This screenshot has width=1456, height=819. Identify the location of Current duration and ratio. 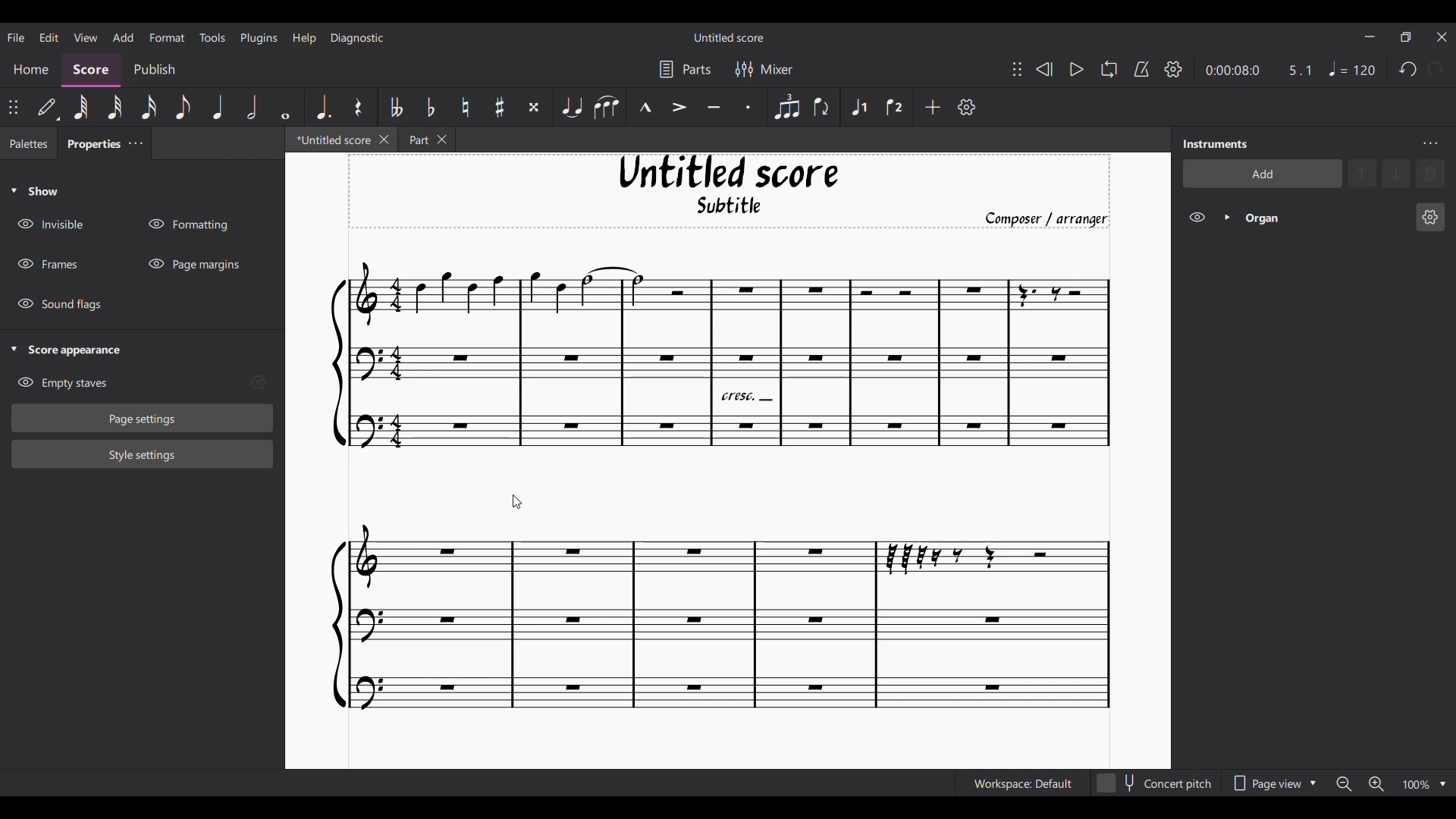
(1258, 70).